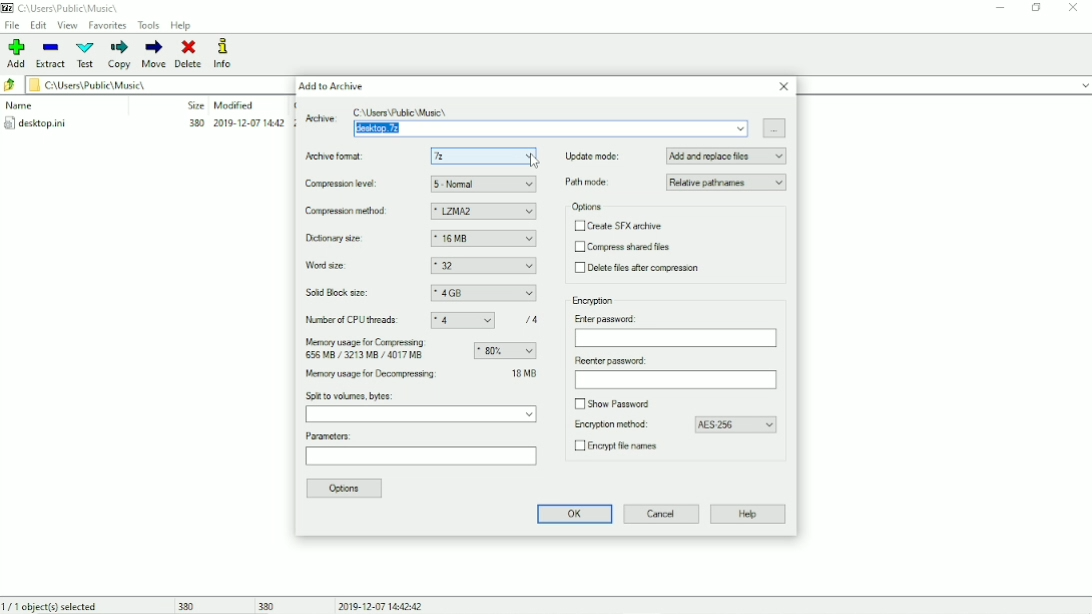  Describe the element at coordinates (154, 54) in the screenshot. I see `Move` at that location.